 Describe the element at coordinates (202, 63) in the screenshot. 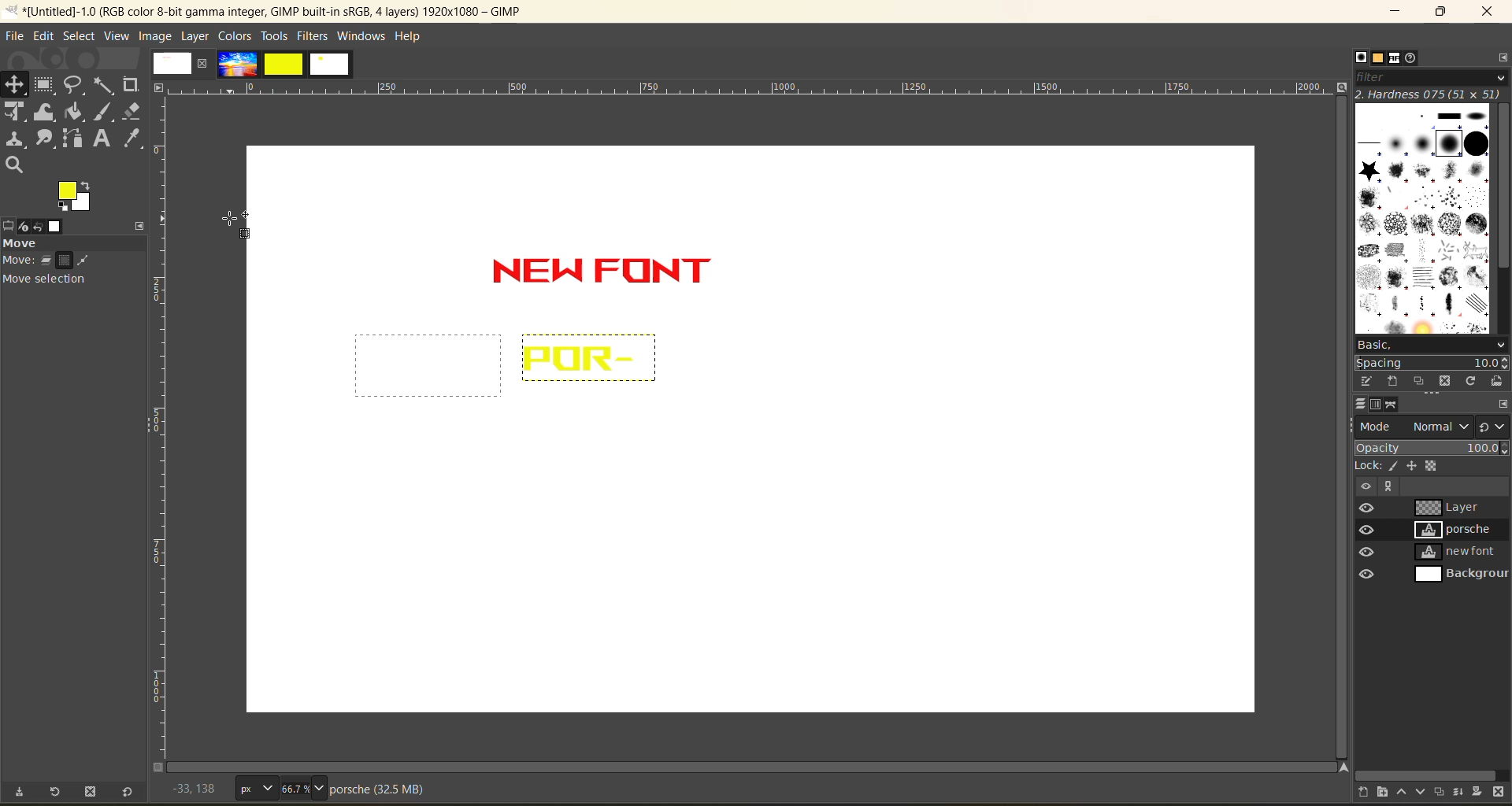

I see `close` at that location.